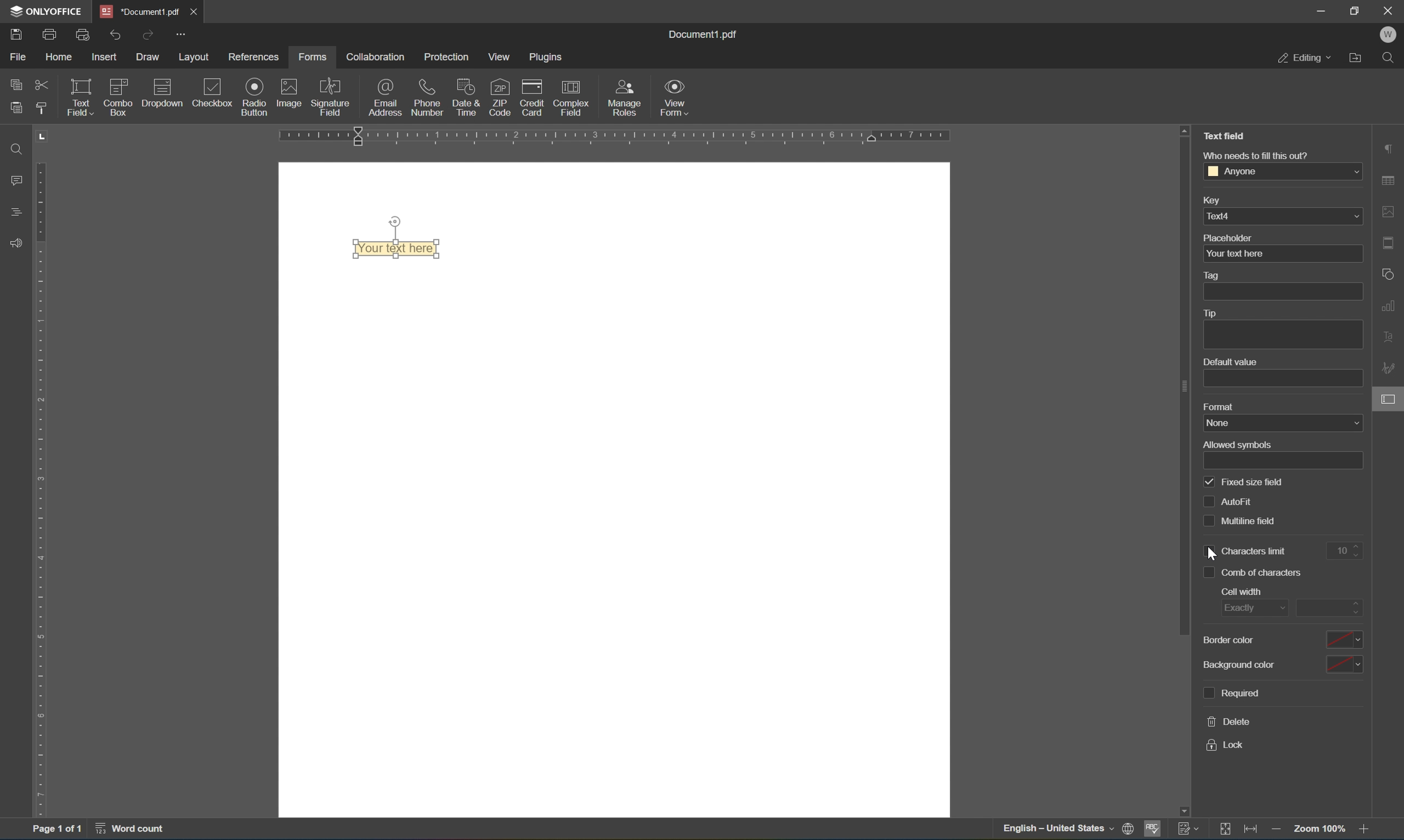  I want to click on border color, so click(1281, 640).